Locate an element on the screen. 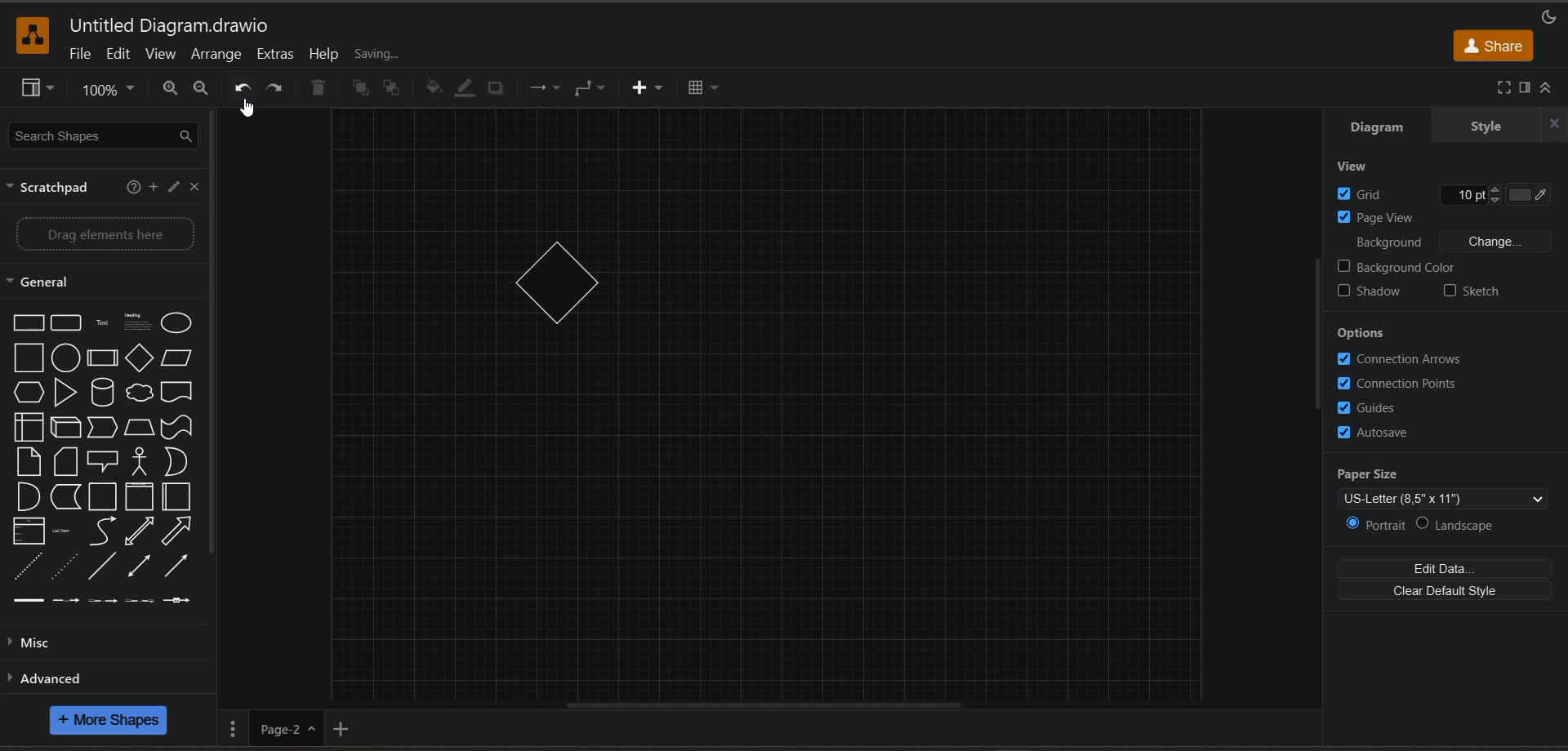 Image resolution: width=1568 pixels, height=751 pixels. zoom is located at coordinates (113, 88).